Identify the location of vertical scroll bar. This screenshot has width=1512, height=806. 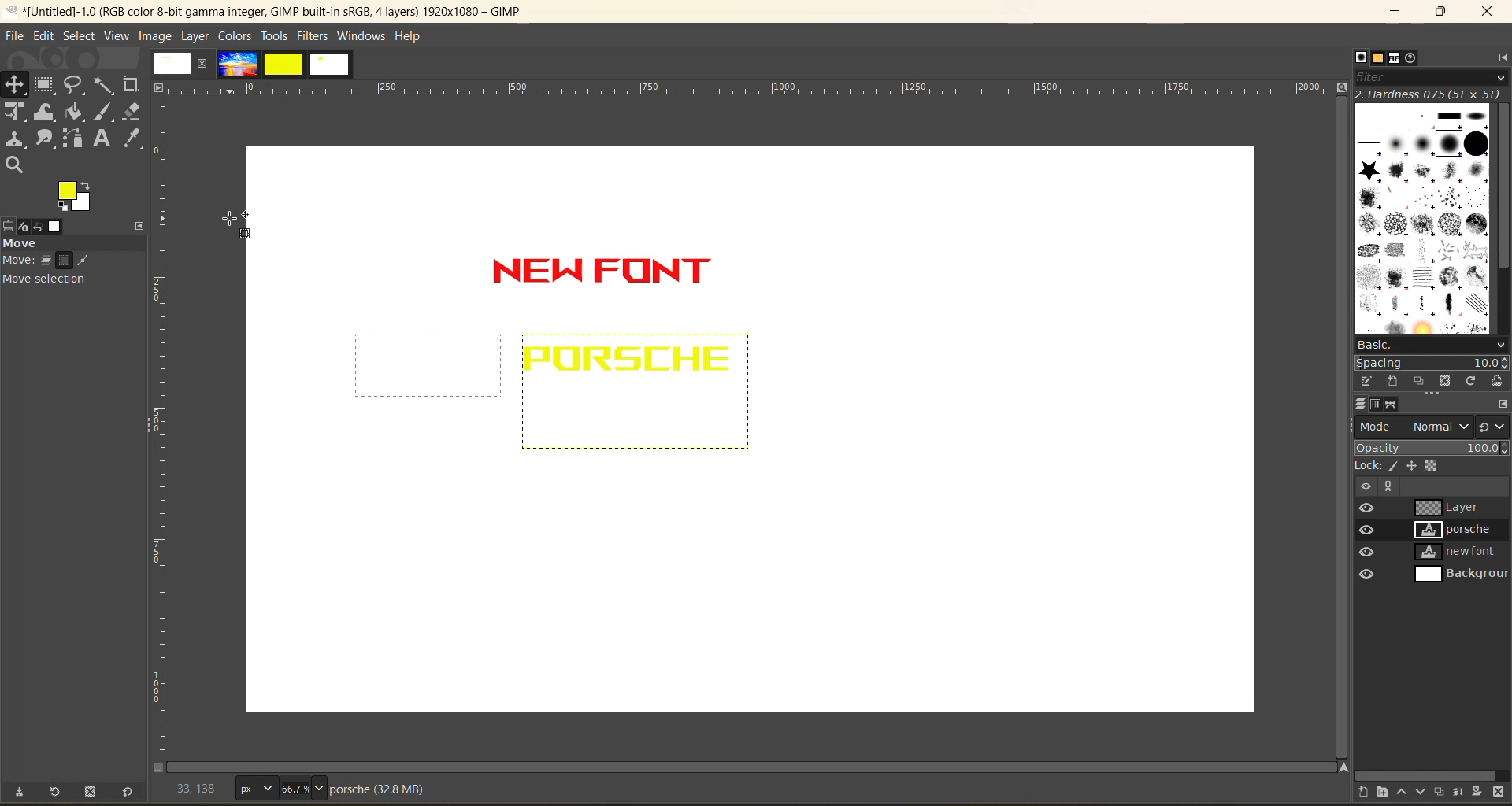
(1336, 242).